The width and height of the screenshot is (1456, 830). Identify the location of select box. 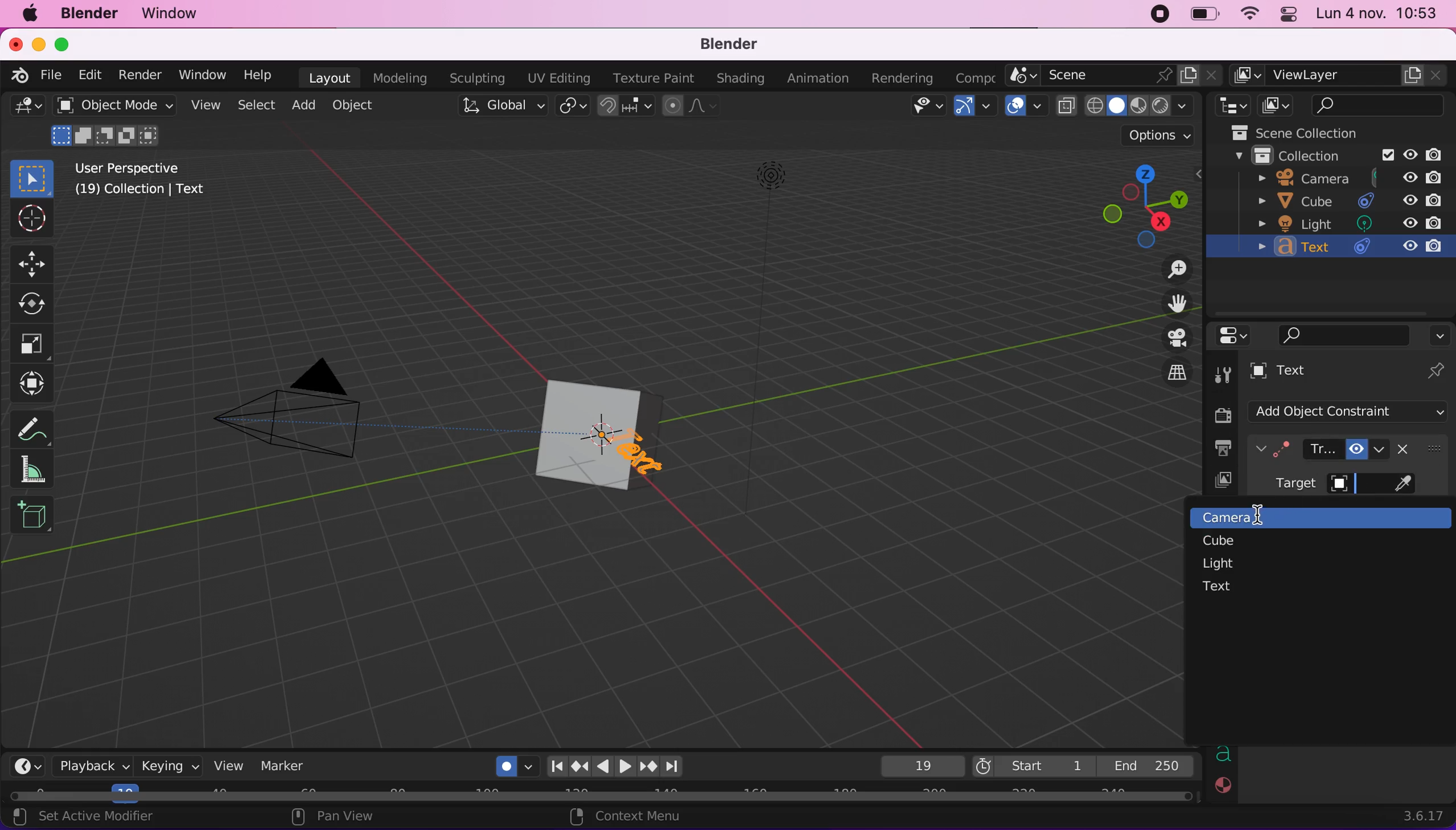
(33, 177).